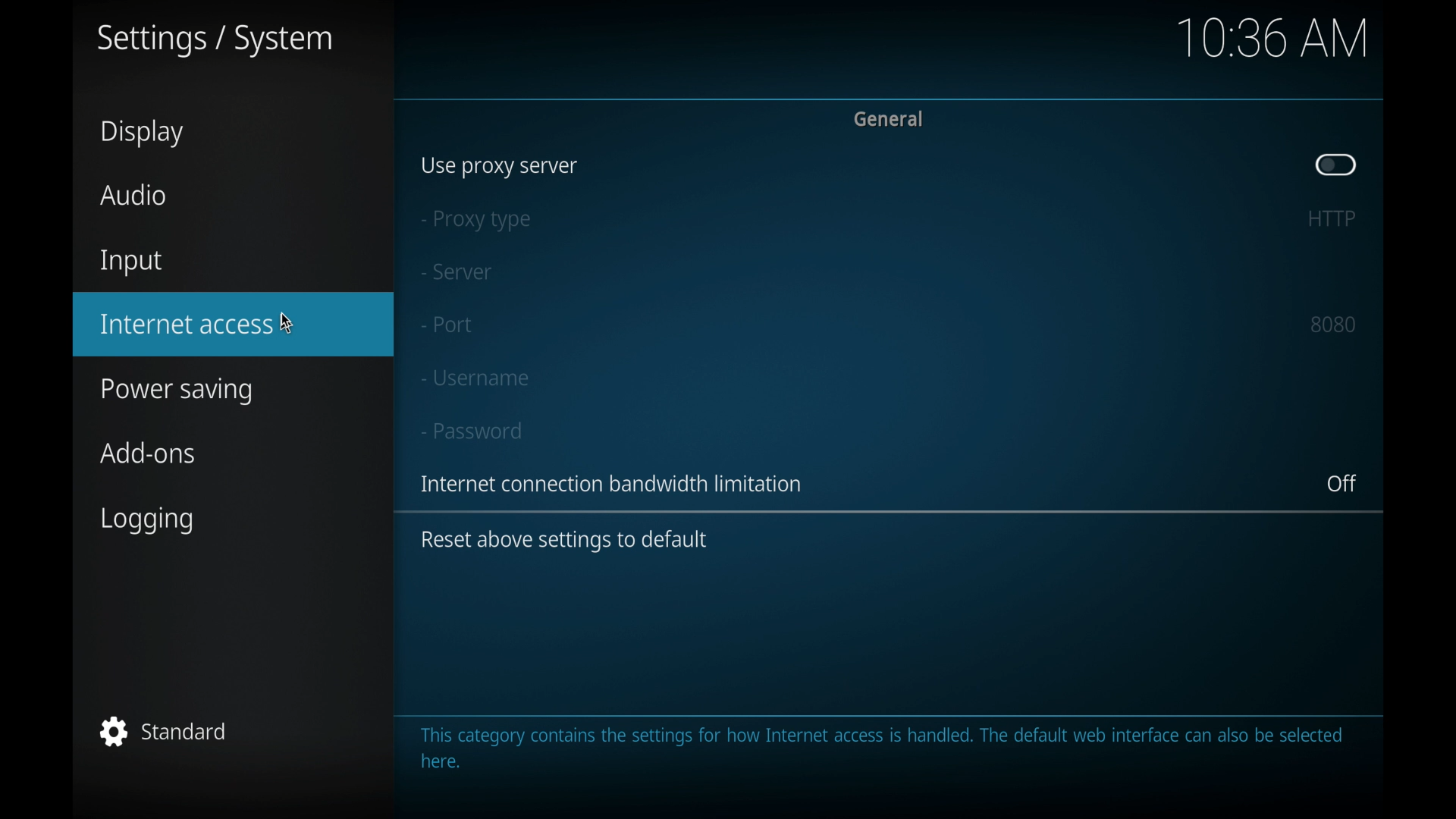 The width and height of the screenshot is (1456, 819). I want to click on info, so click(614, 484).